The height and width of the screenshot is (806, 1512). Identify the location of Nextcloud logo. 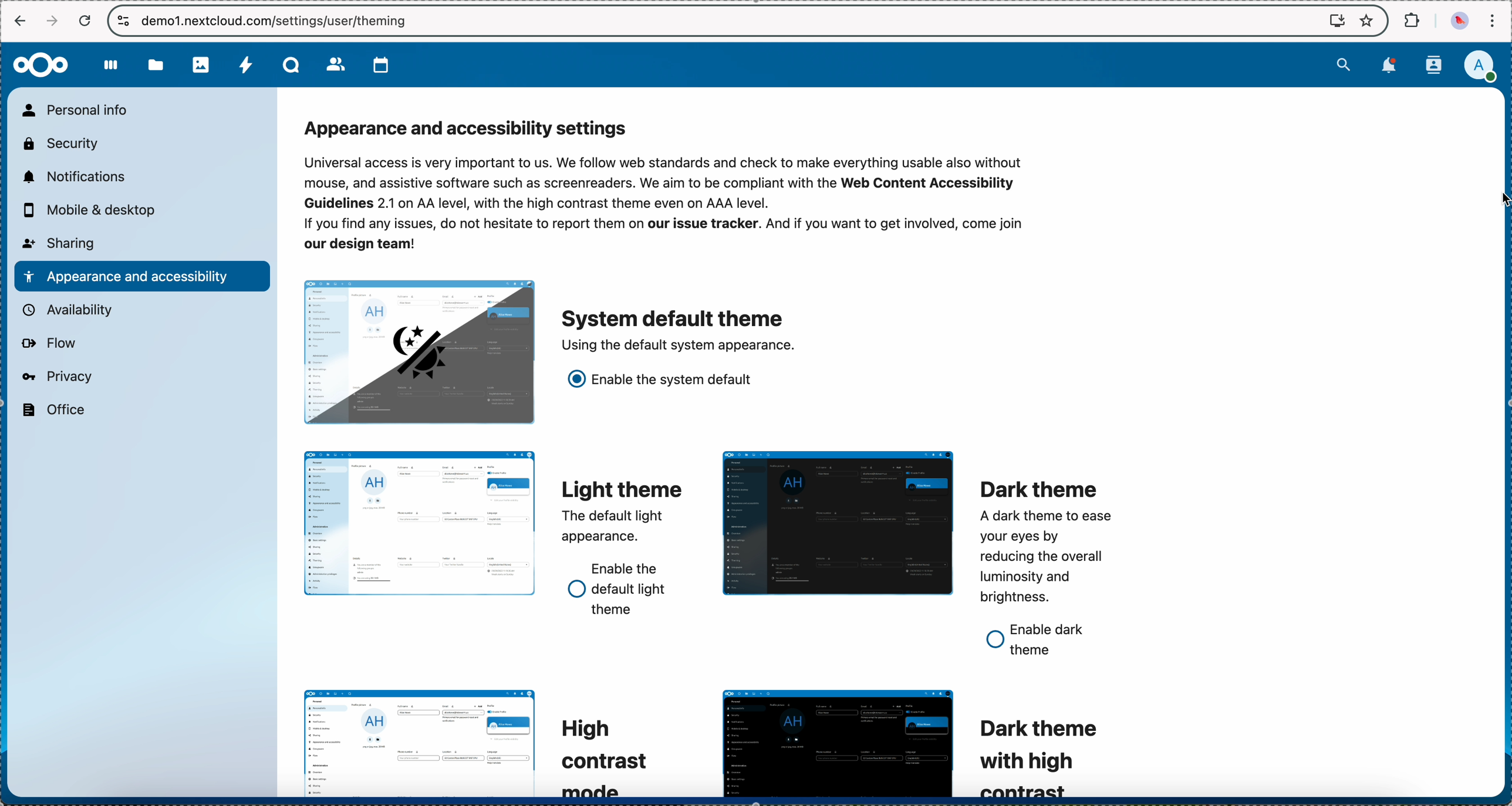
(42, 64).